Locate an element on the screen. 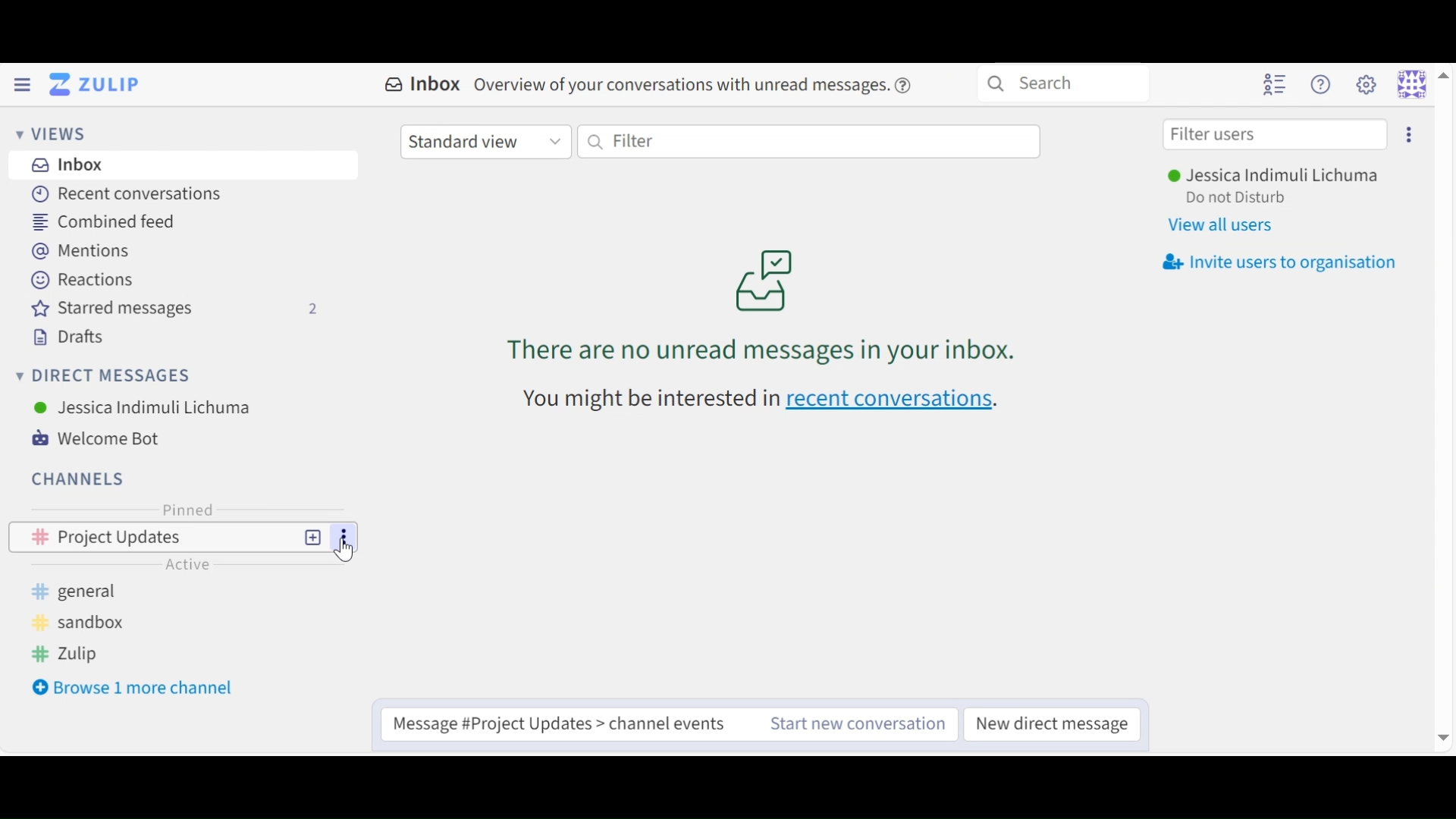  overview of conversations is located at coordinates (697, 85).